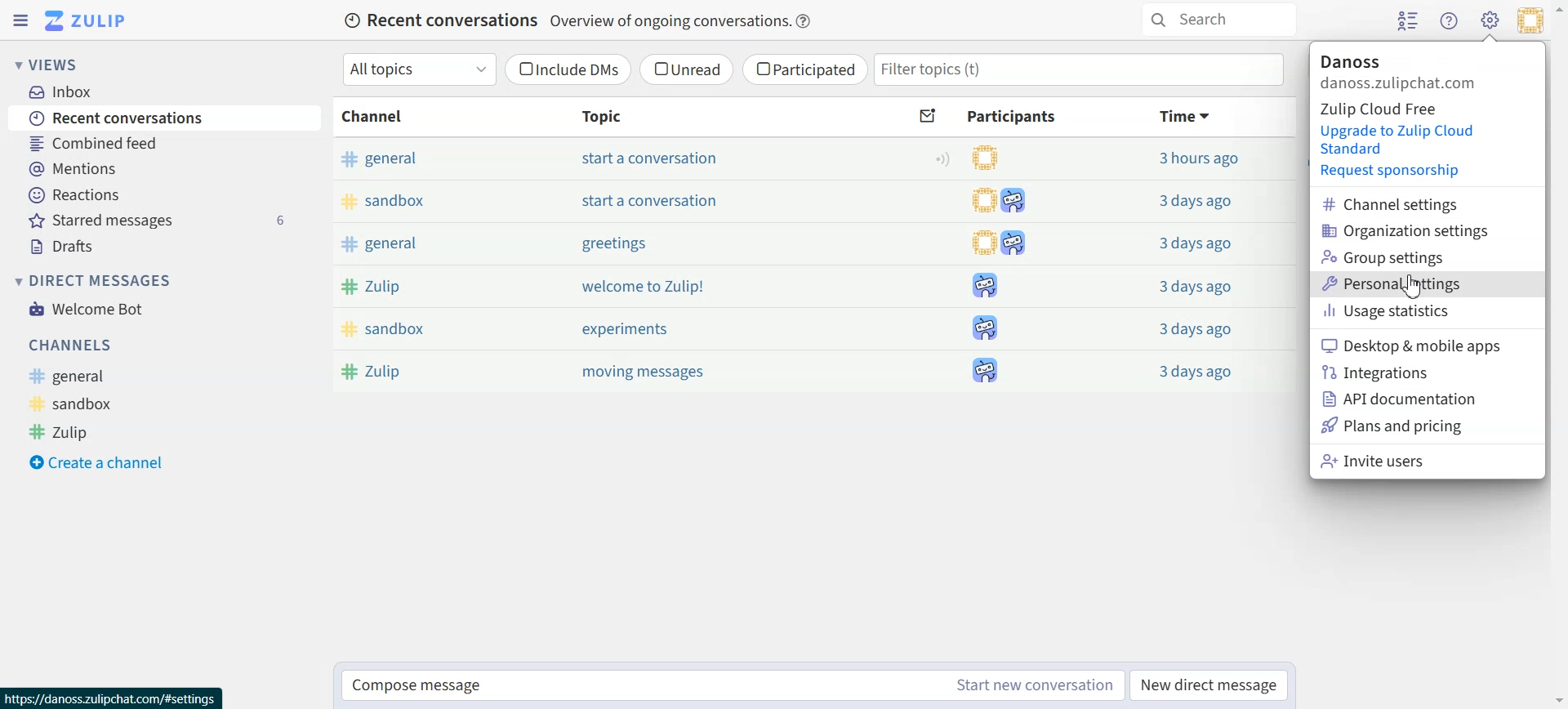 This screenshot has height=709, width=1568. I want to click on general, so click(384, 158).